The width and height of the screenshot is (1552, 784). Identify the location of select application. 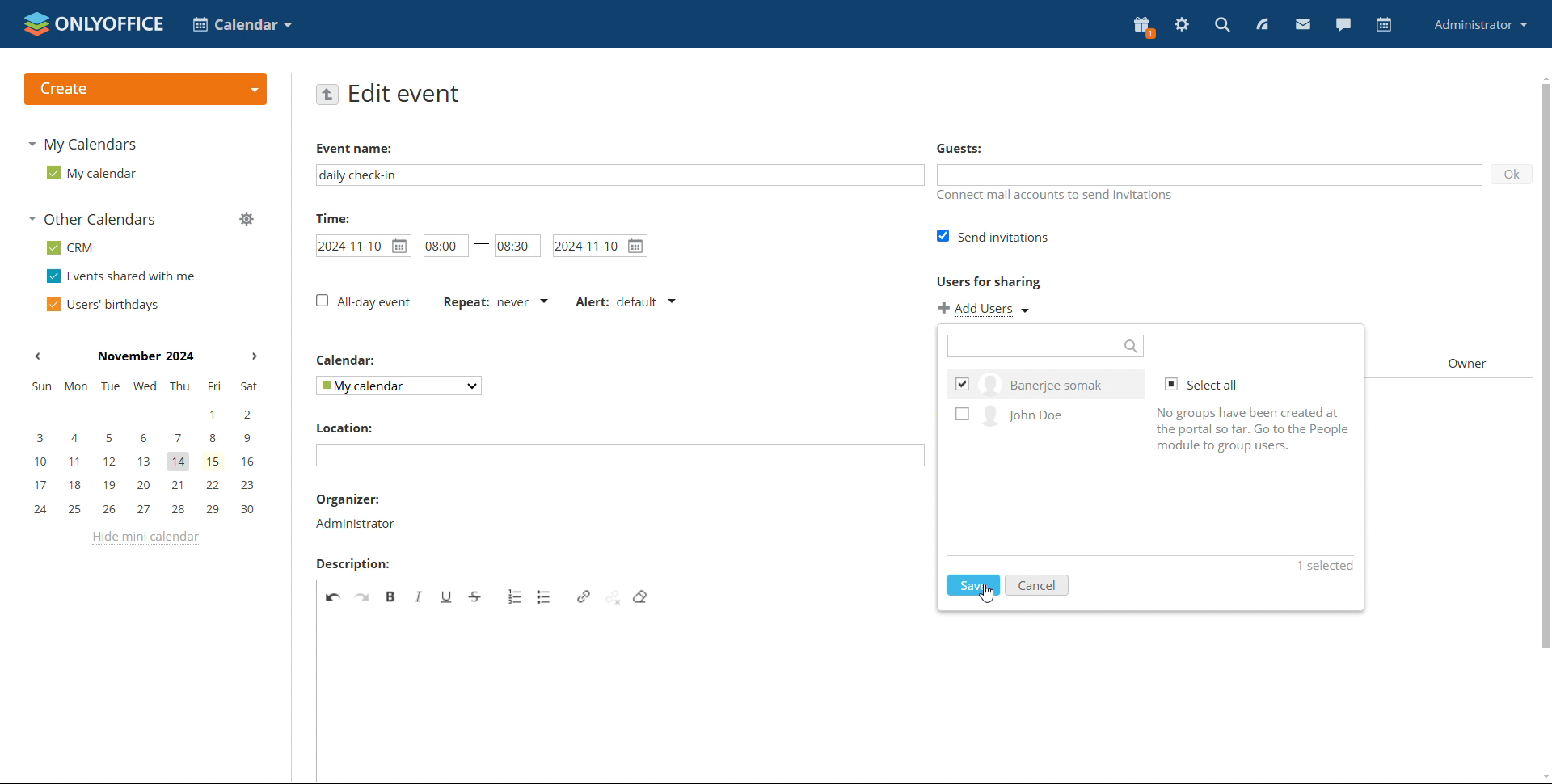
(242, 24).